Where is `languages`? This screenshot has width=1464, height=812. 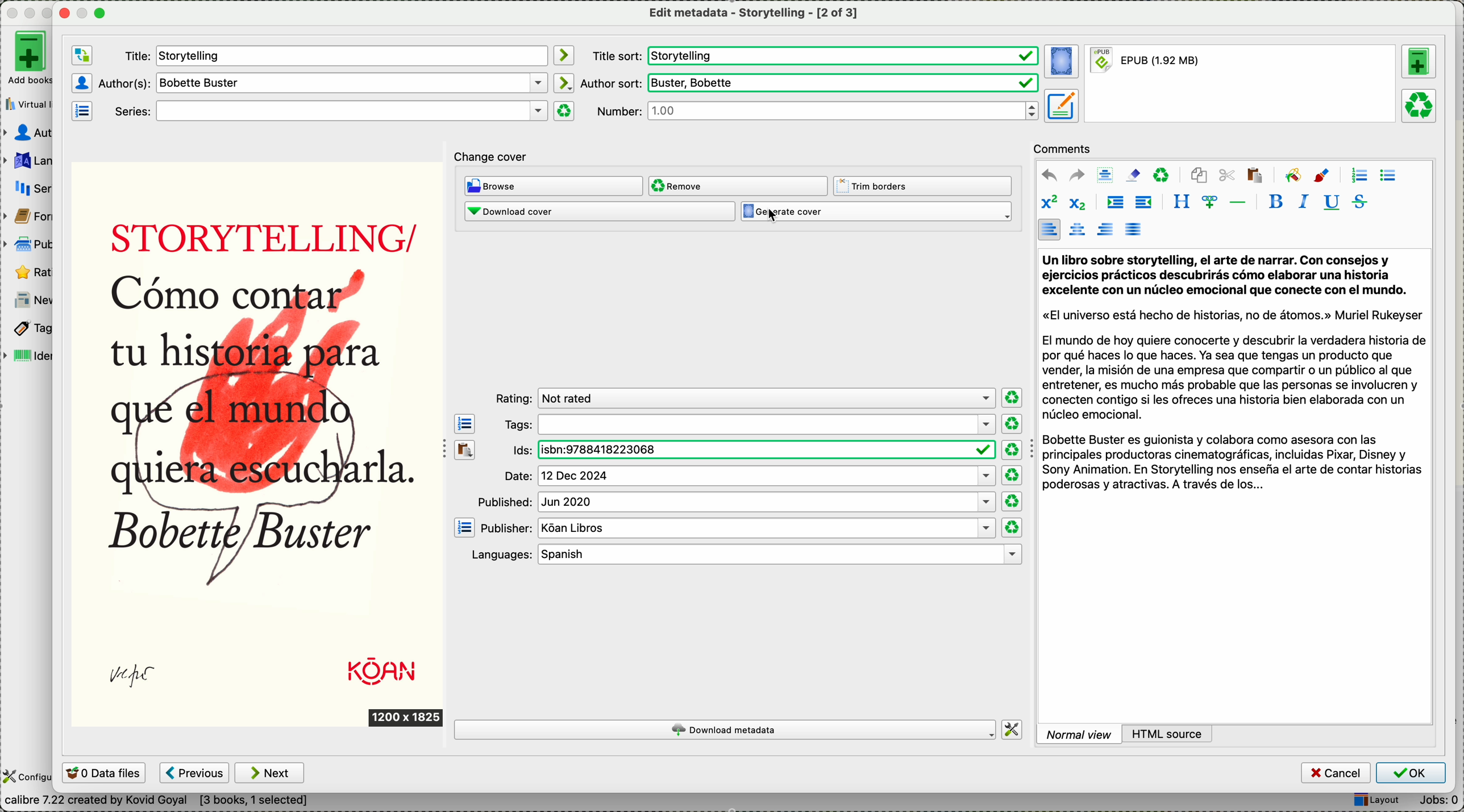 languages is located at coordinates (32, 159).